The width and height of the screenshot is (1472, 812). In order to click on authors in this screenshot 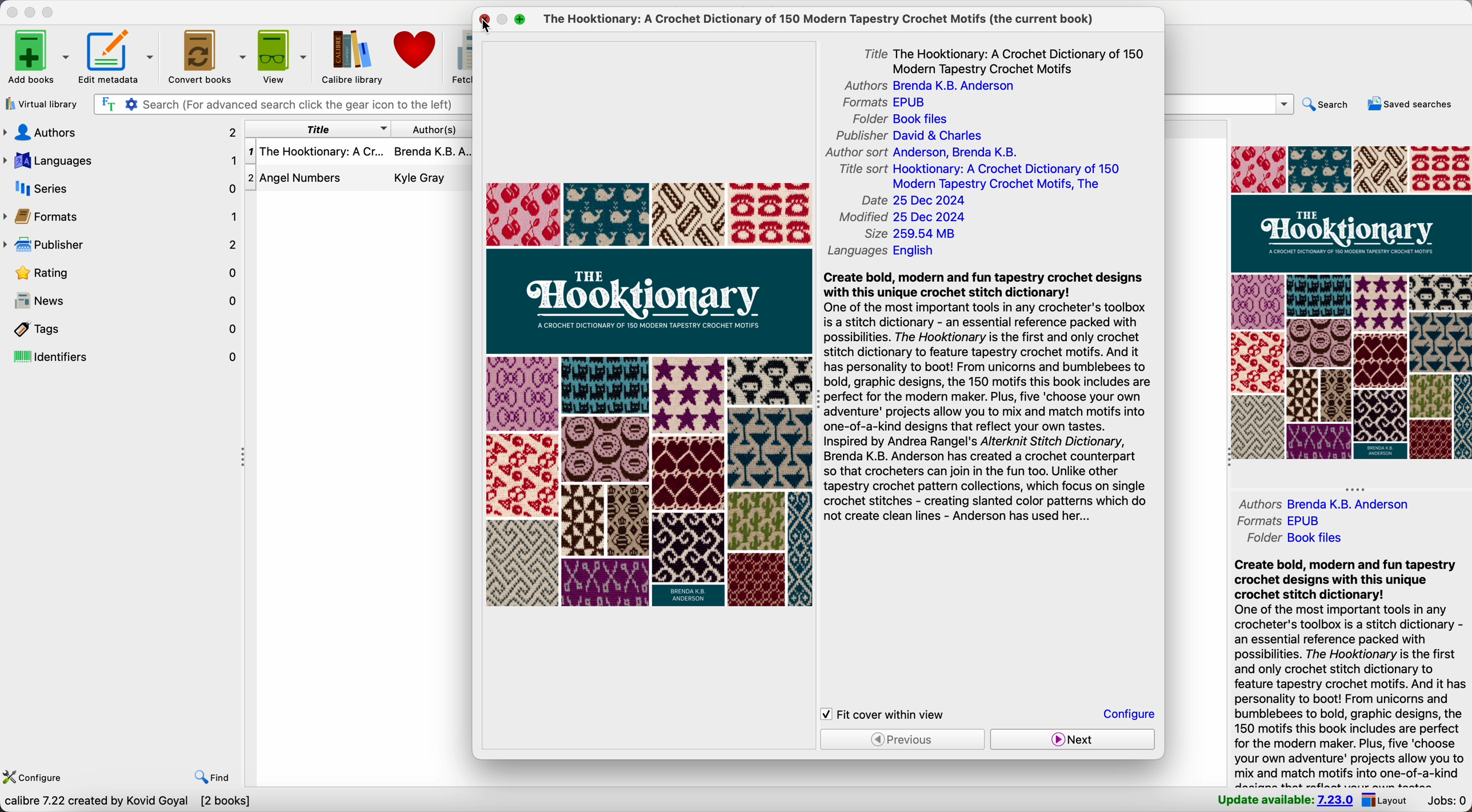, I will do `click(925, 86)`.